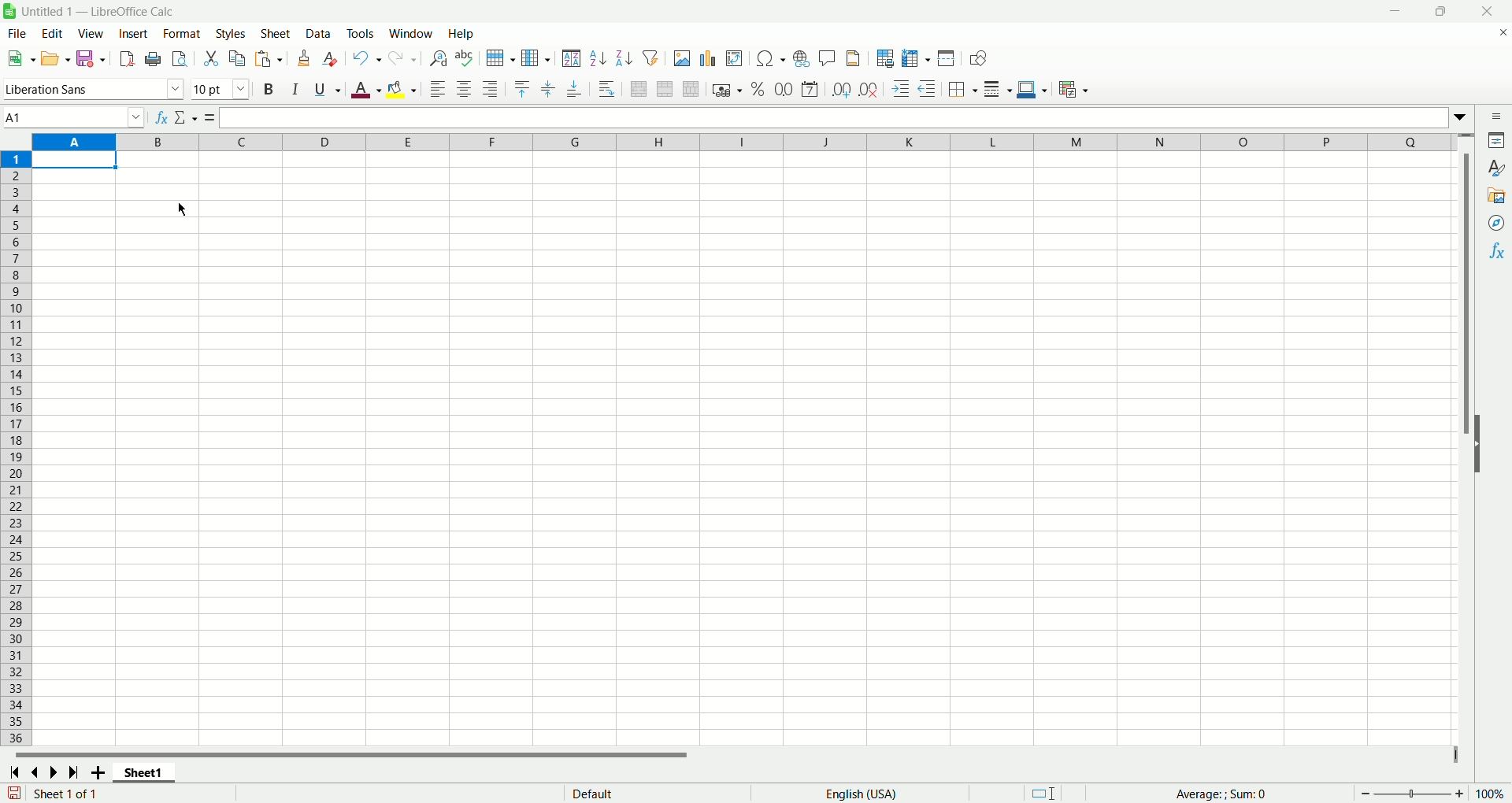 This screenshot has width=1512, height=803. Describe the element at coordinates (364, 34) in the screenshot. I see `tools` at that location.